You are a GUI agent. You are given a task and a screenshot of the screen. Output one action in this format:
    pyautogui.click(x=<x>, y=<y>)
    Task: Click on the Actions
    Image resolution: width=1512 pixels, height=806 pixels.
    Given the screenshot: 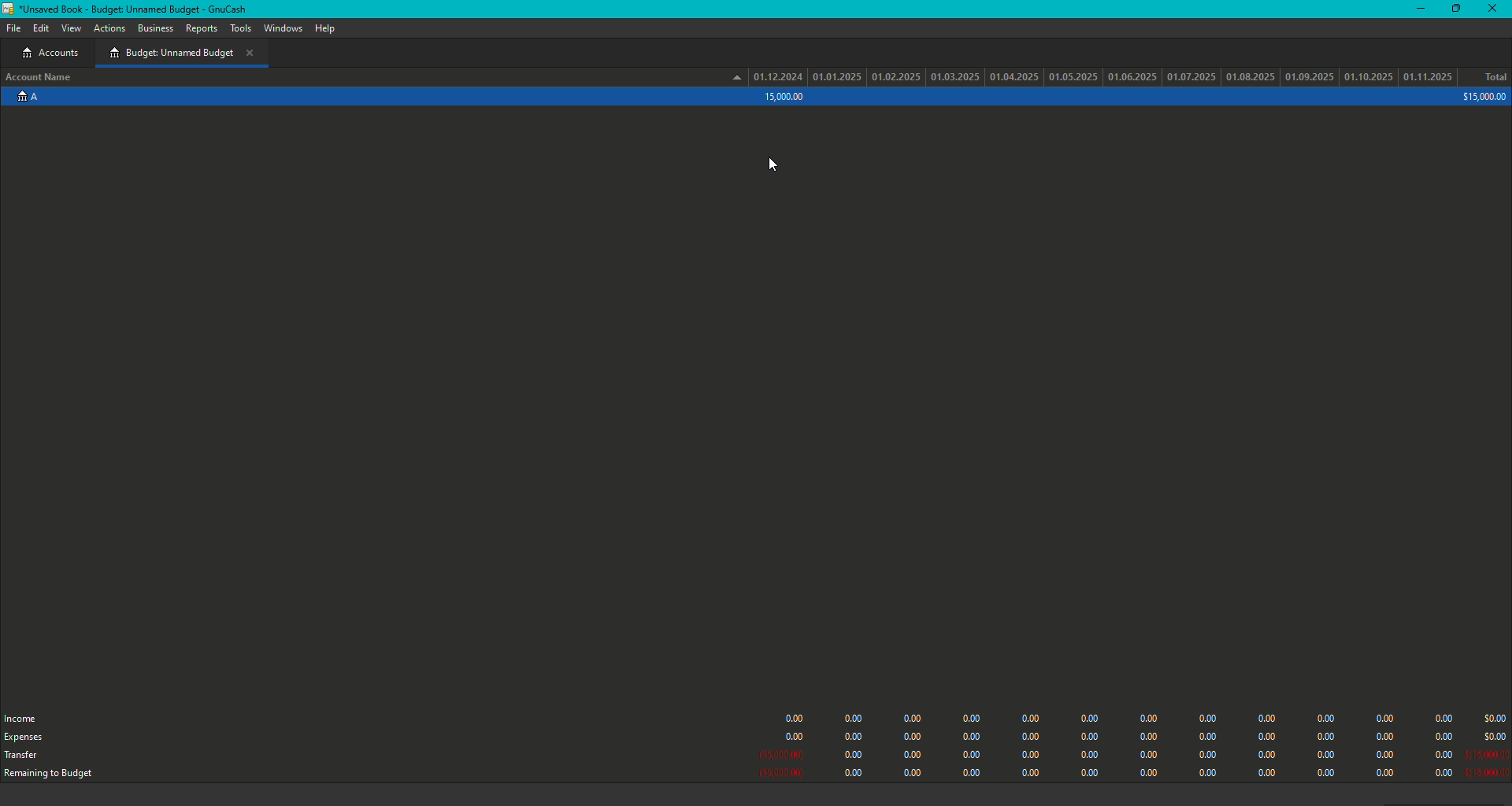 What is the action you would take?
    pyautogui.click(x=110, y=30)
    